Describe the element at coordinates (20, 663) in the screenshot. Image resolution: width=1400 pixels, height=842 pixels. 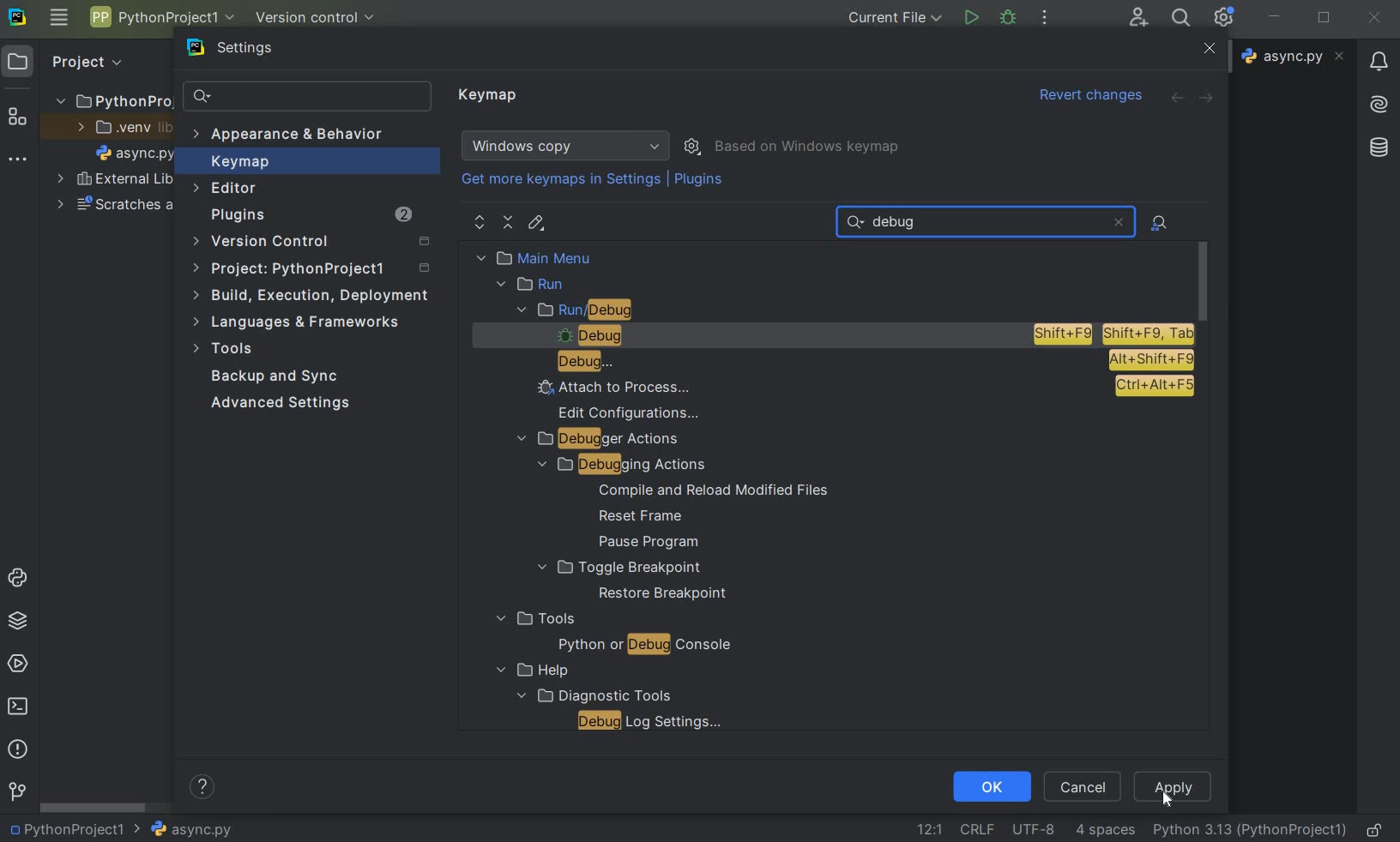
I see `services` at that location.